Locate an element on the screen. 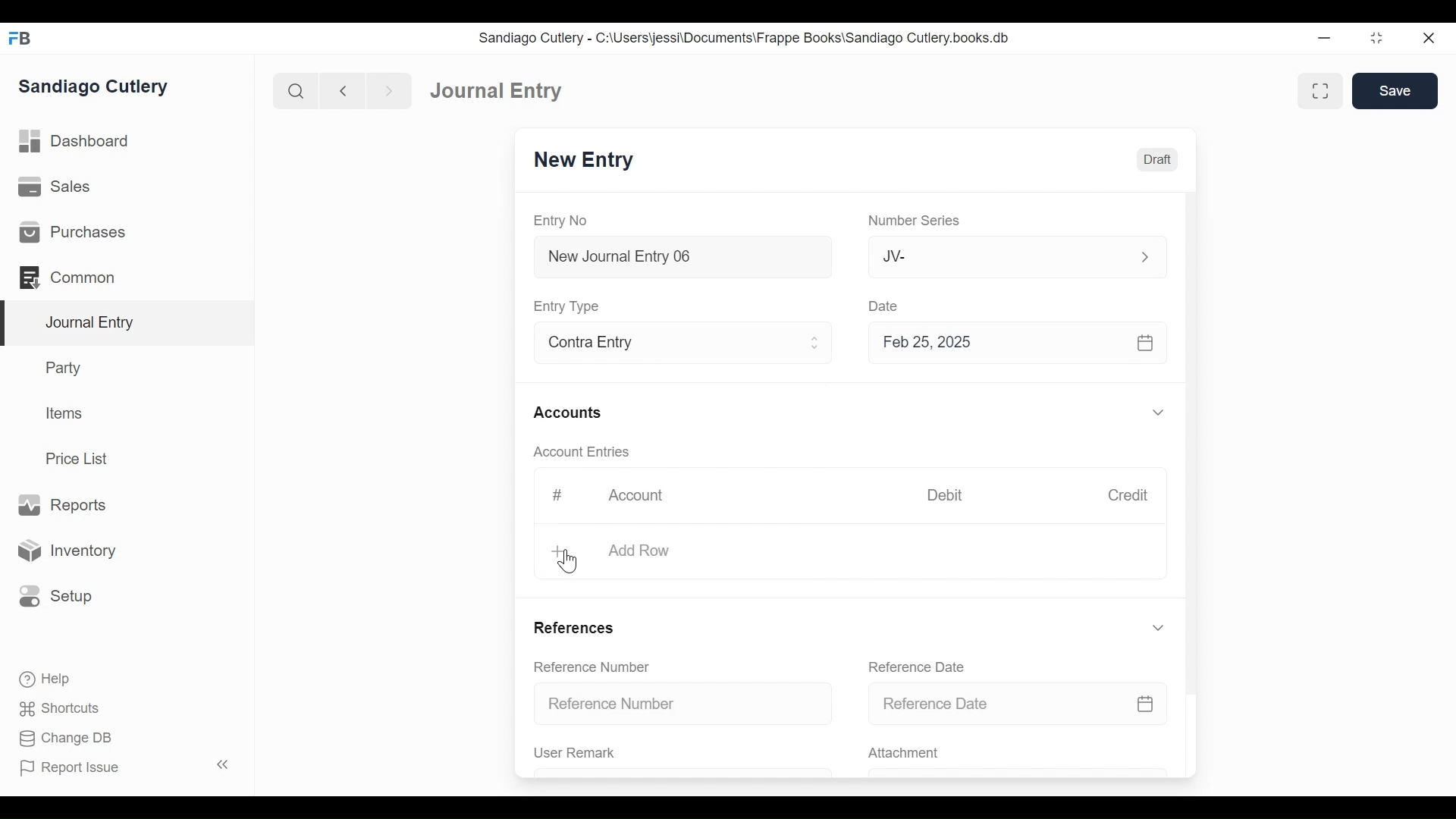  Toggle between form and full width is located at coordinates (1320, 91).